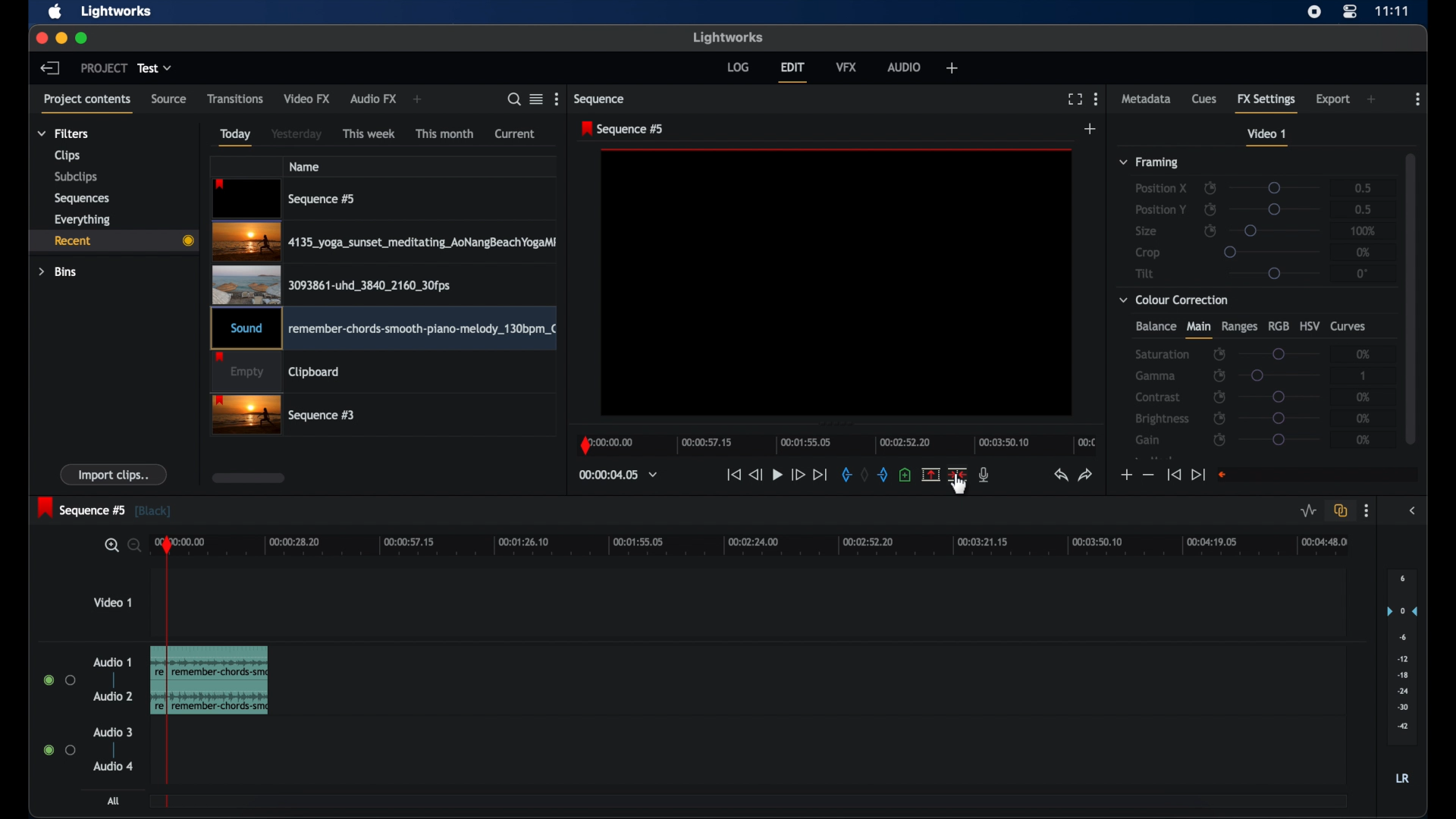 This screenshot has width=1456, height=819. What do you see at coordinates (1280, 375) in the screenshot?
I see `slider` at bounding box center [1280, 375].